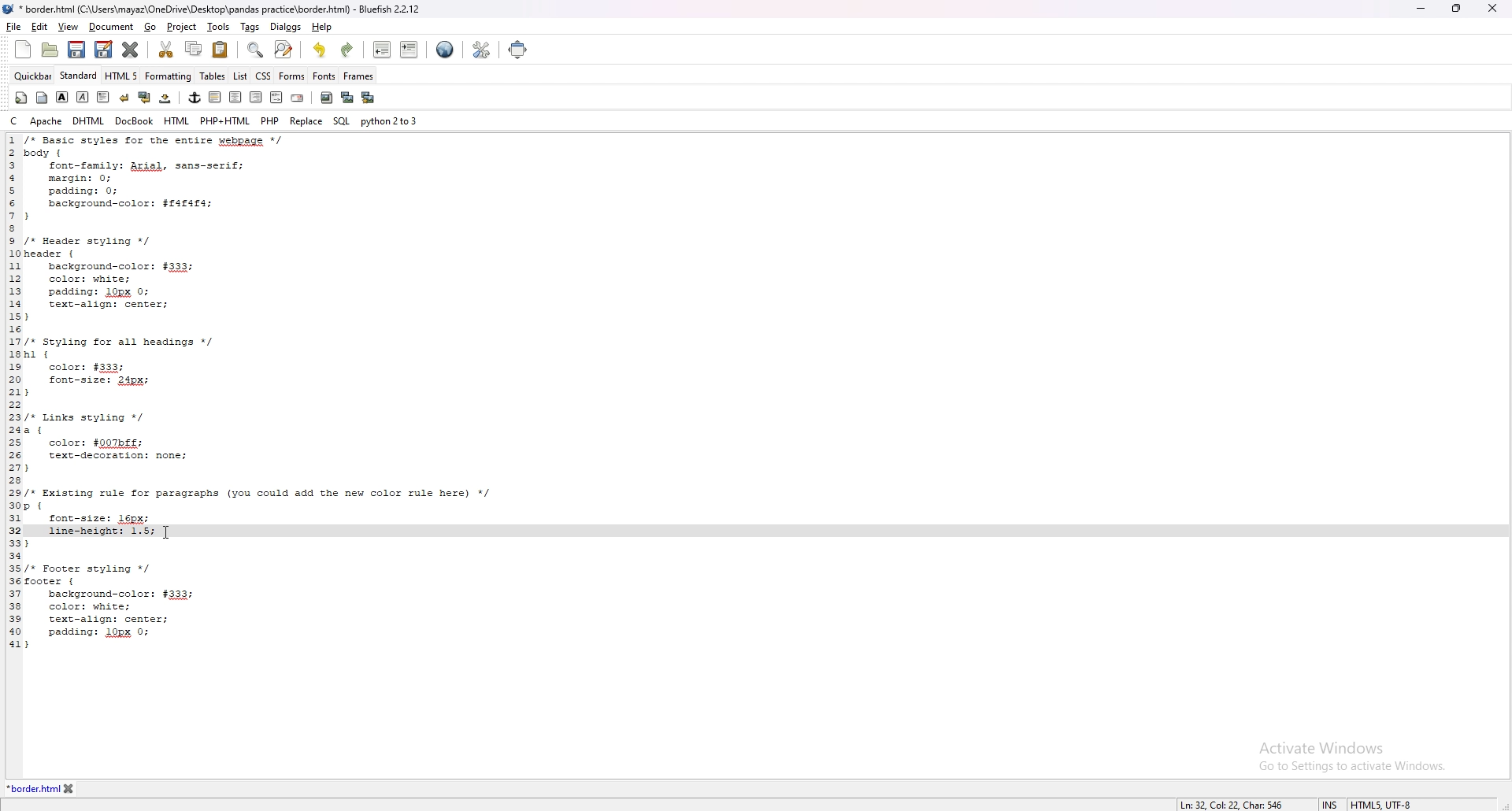 The height and width of the screenshot is (811, 1512). What do you see at coordinates (151, 529) in the screenshot?
I see `chosen line` at bounding box center [151, 529].